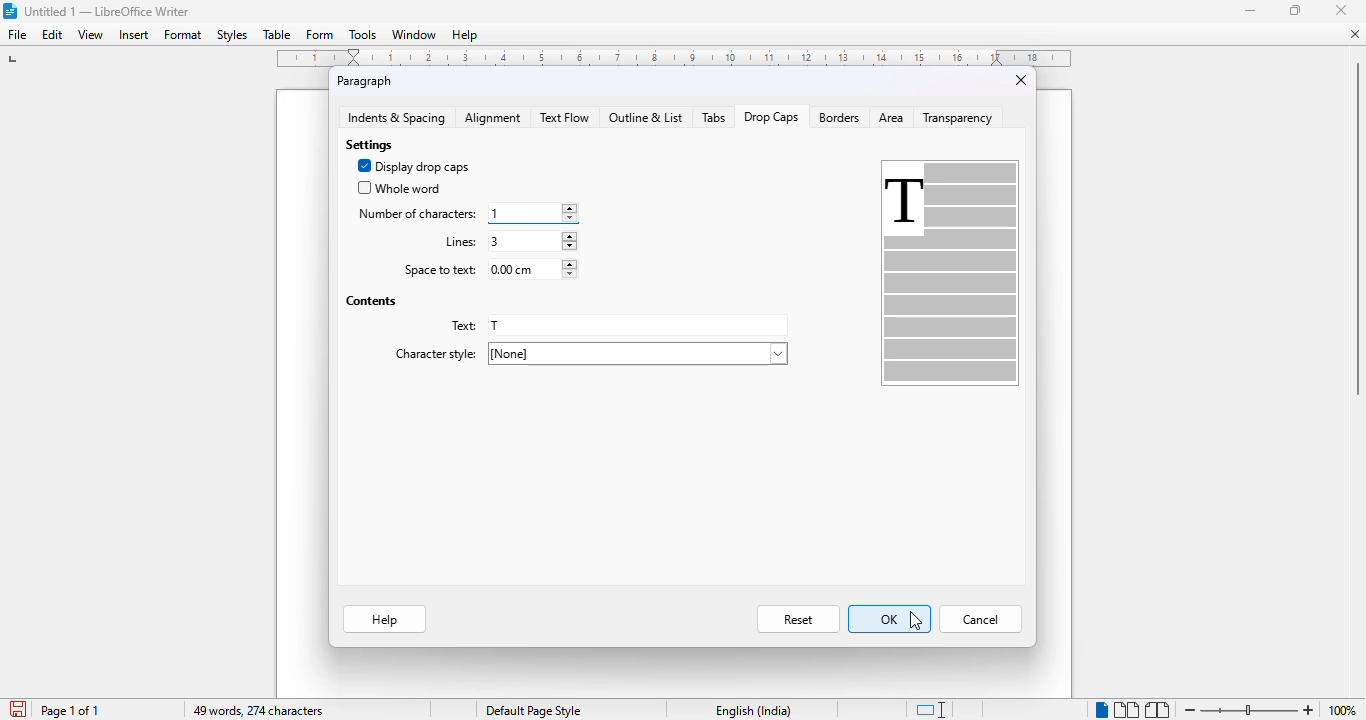  What do you see at coordinates (17, 34) in the screenshot?
I see `file` at bounding box center [17, 34].